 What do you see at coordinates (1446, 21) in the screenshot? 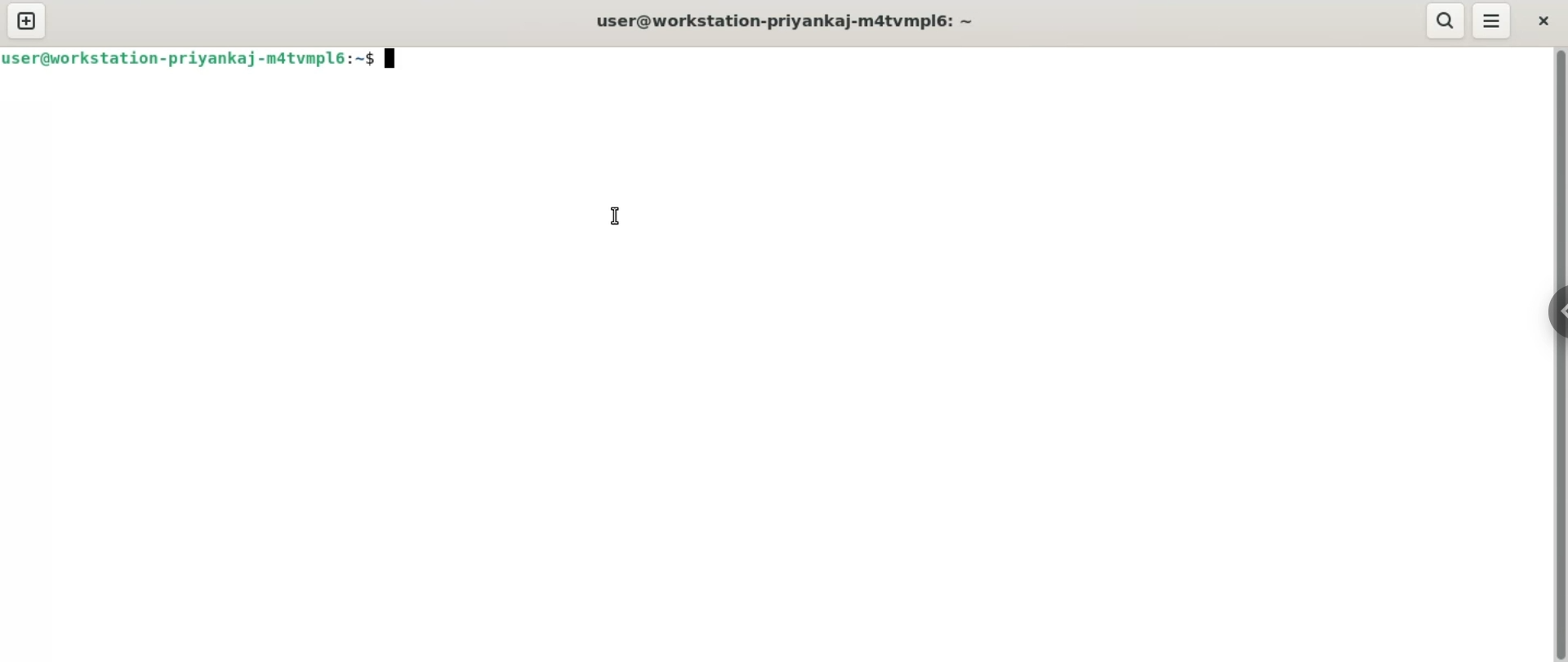
I see `search` at bounding box center [1446, 21].